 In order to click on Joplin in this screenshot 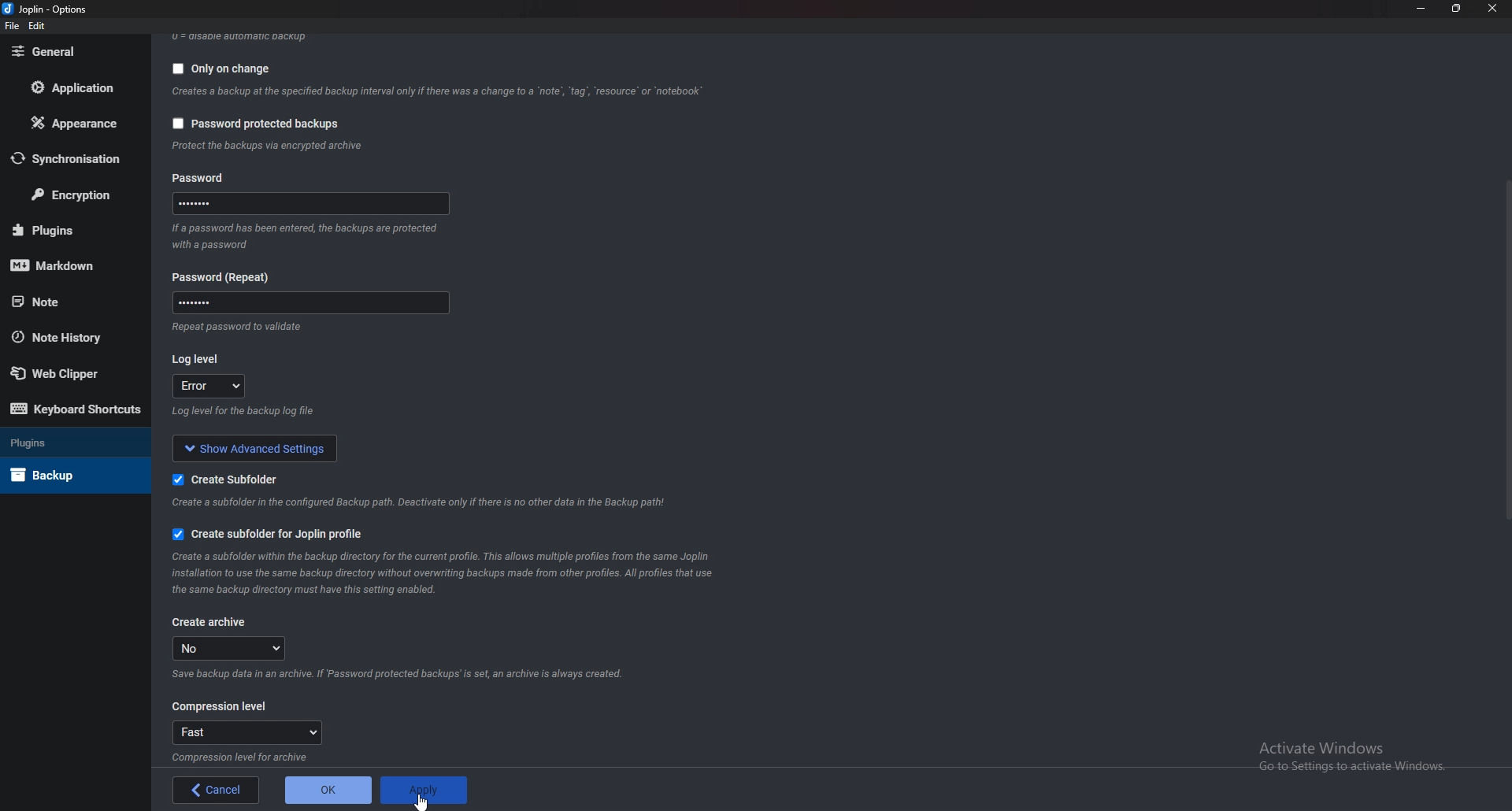, I will do `click(46, 9)`.